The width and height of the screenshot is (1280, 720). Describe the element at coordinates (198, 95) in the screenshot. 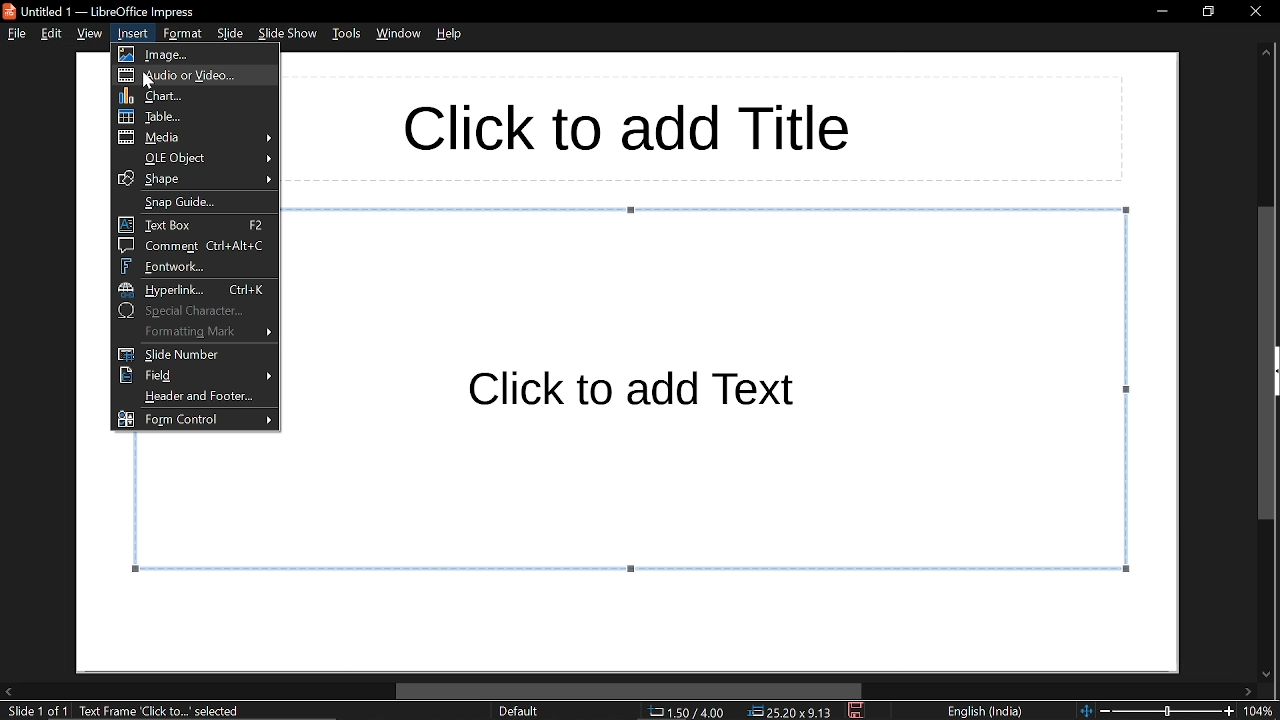

I see `chart` at that location.